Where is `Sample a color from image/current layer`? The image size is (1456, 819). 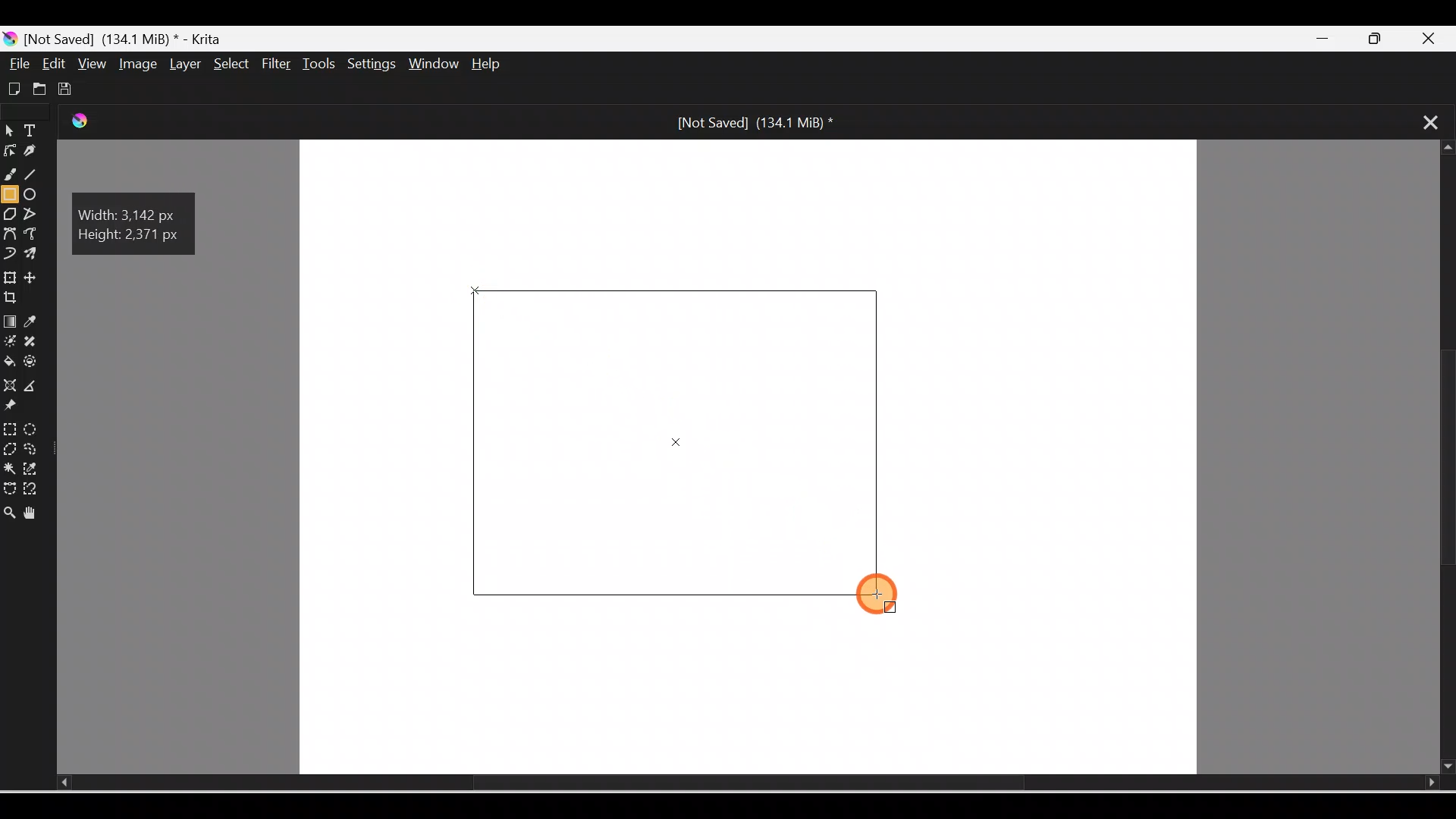 Sample a color from image/current layer is located at coordinates (36, 322).